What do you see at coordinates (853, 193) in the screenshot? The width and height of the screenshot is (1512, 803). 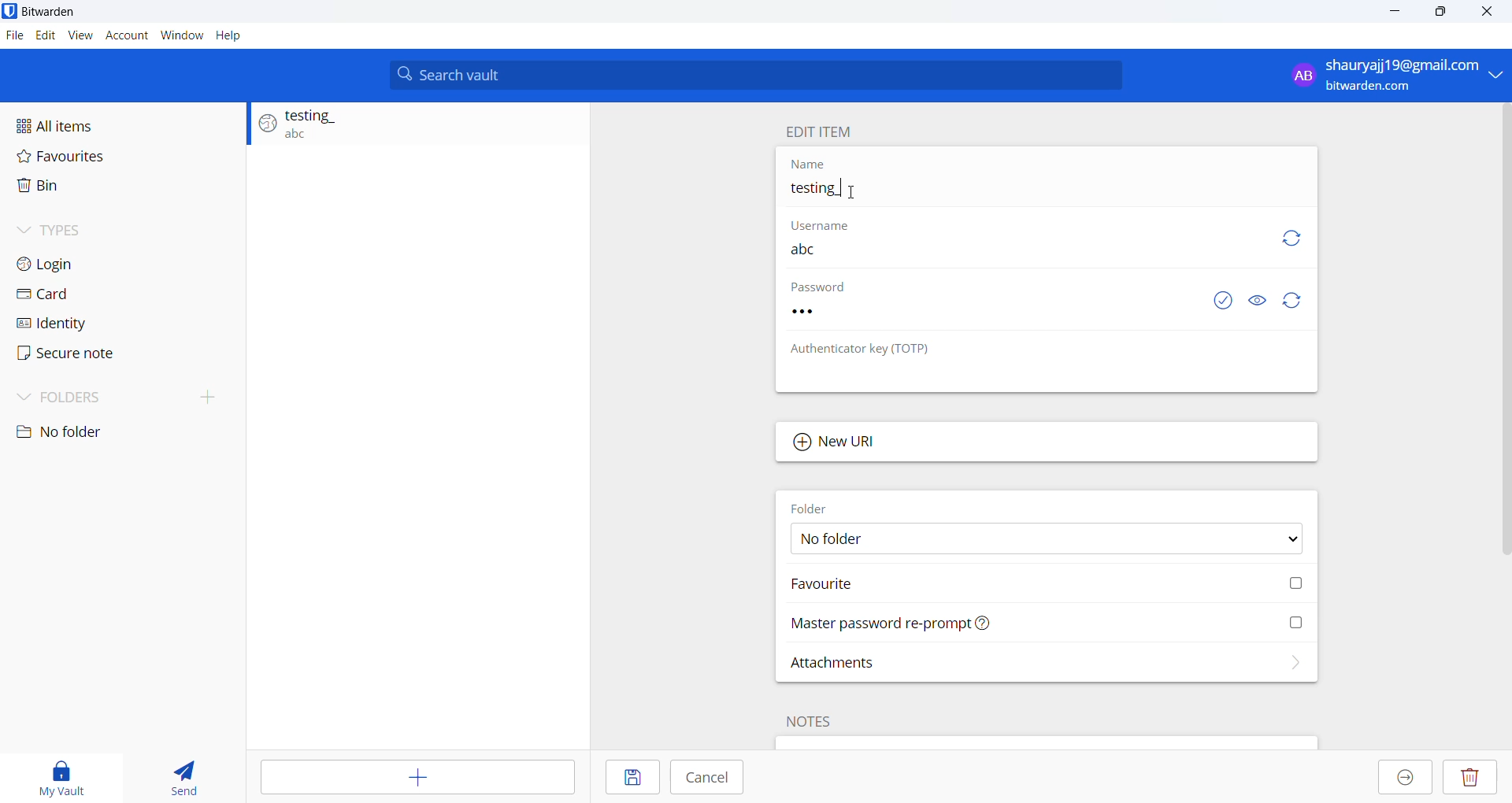 I see `Cursor` at bounding box center [853, 193].